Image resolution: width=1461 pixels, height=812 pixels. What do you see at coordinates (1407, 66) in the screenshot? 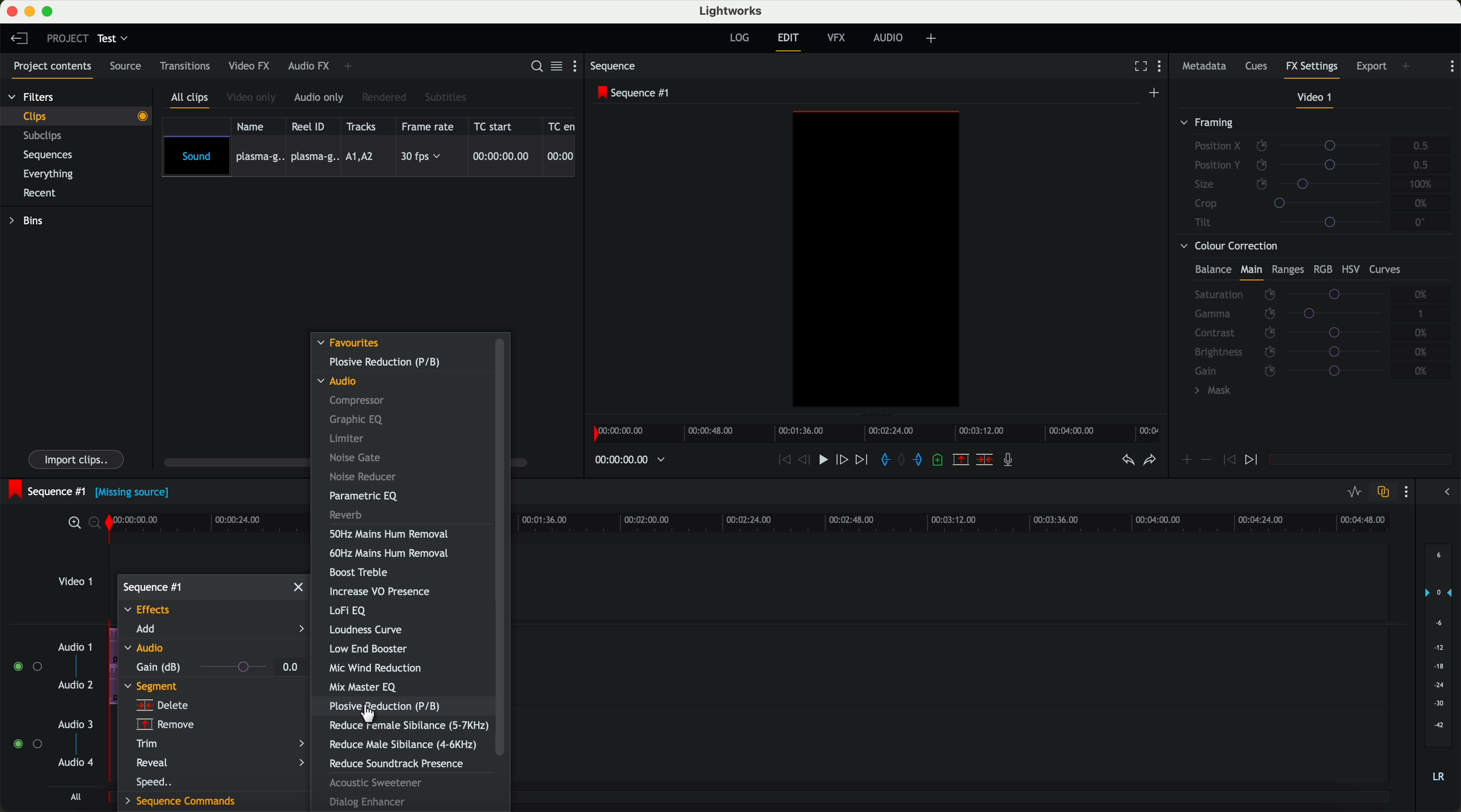
I see `add` at bounding box center [1407, 66].